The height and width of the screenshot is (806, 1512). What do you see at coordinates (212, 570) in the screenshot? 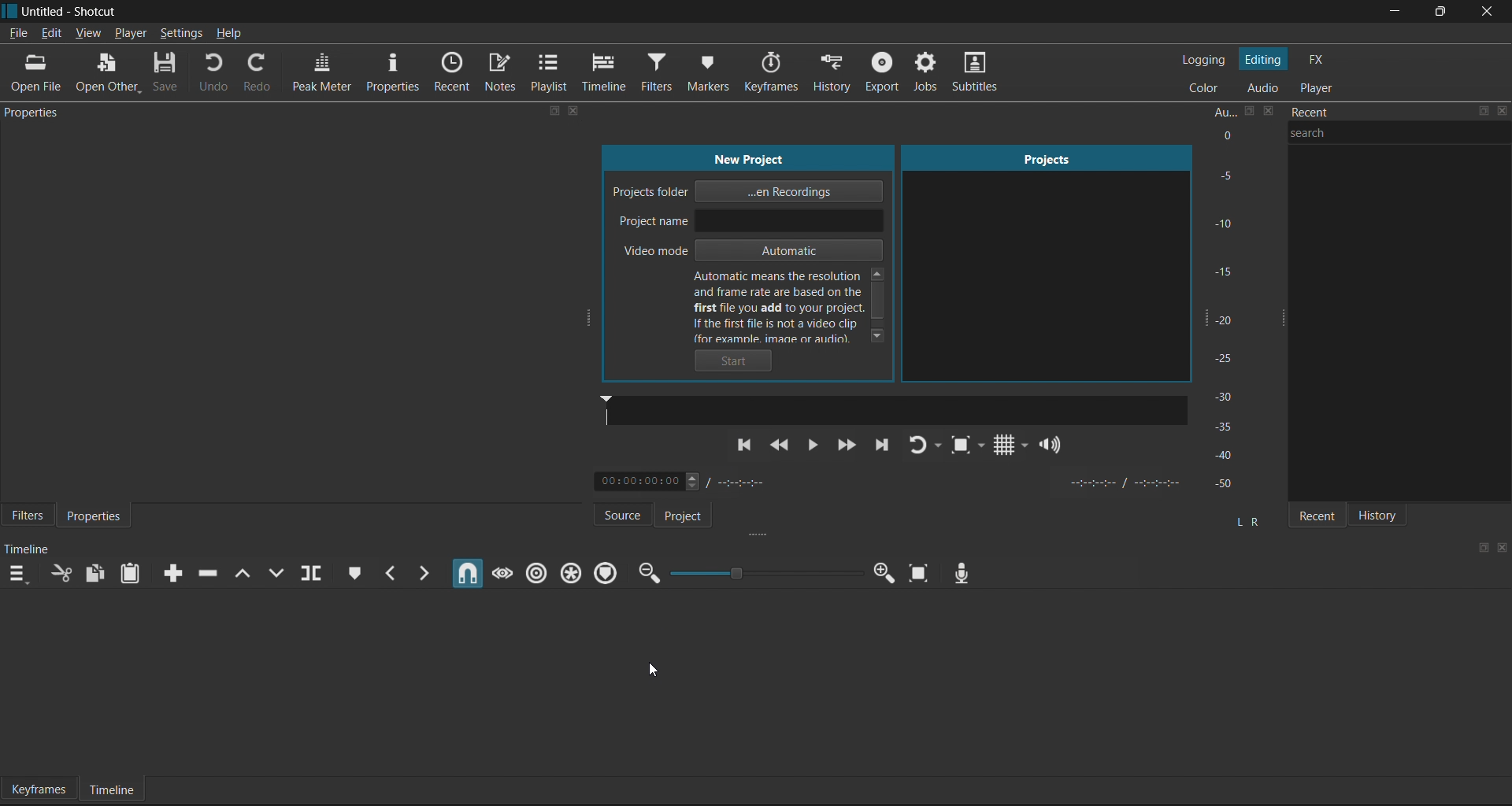
I see `Ripple delete` at bounding box center [212, 570].